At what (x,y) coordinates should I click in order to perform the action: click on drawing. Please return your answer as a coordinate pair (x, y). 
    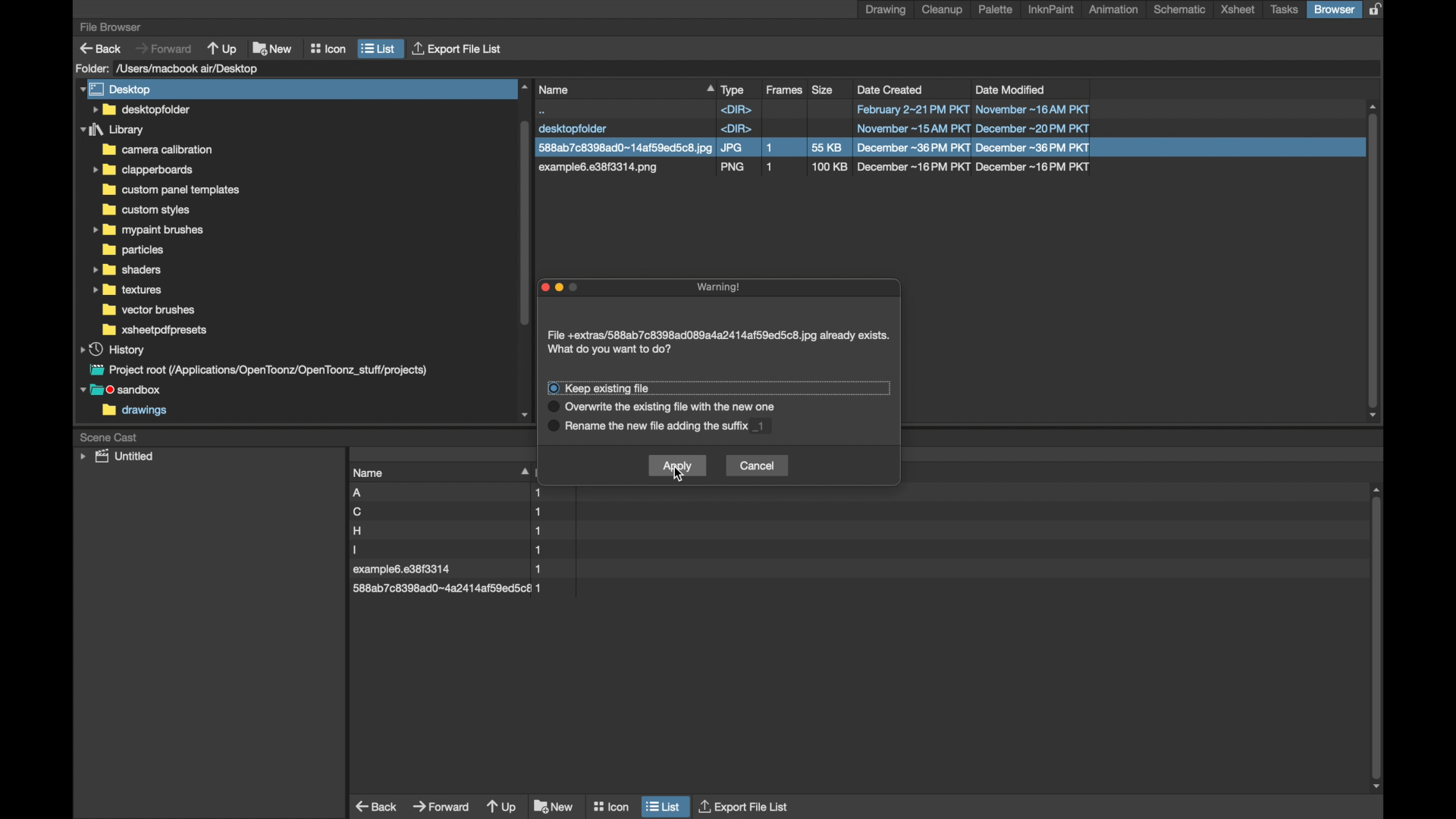
    Looking at the image, I should click on (886, 10).